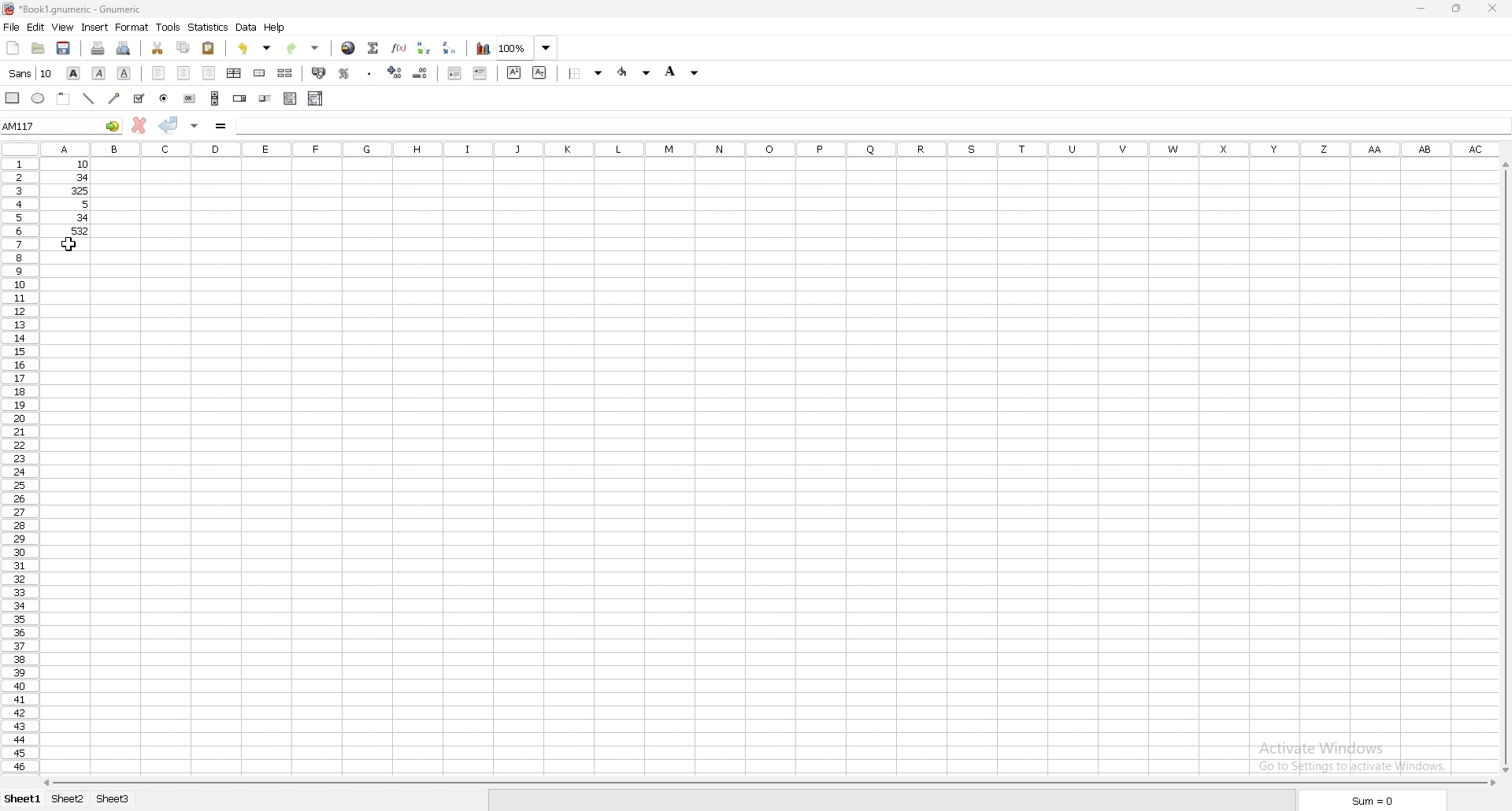  What do you see at coordinates (424, 47) in the screenshot?
I see `sort ascending` at bounding box center [424, 47].